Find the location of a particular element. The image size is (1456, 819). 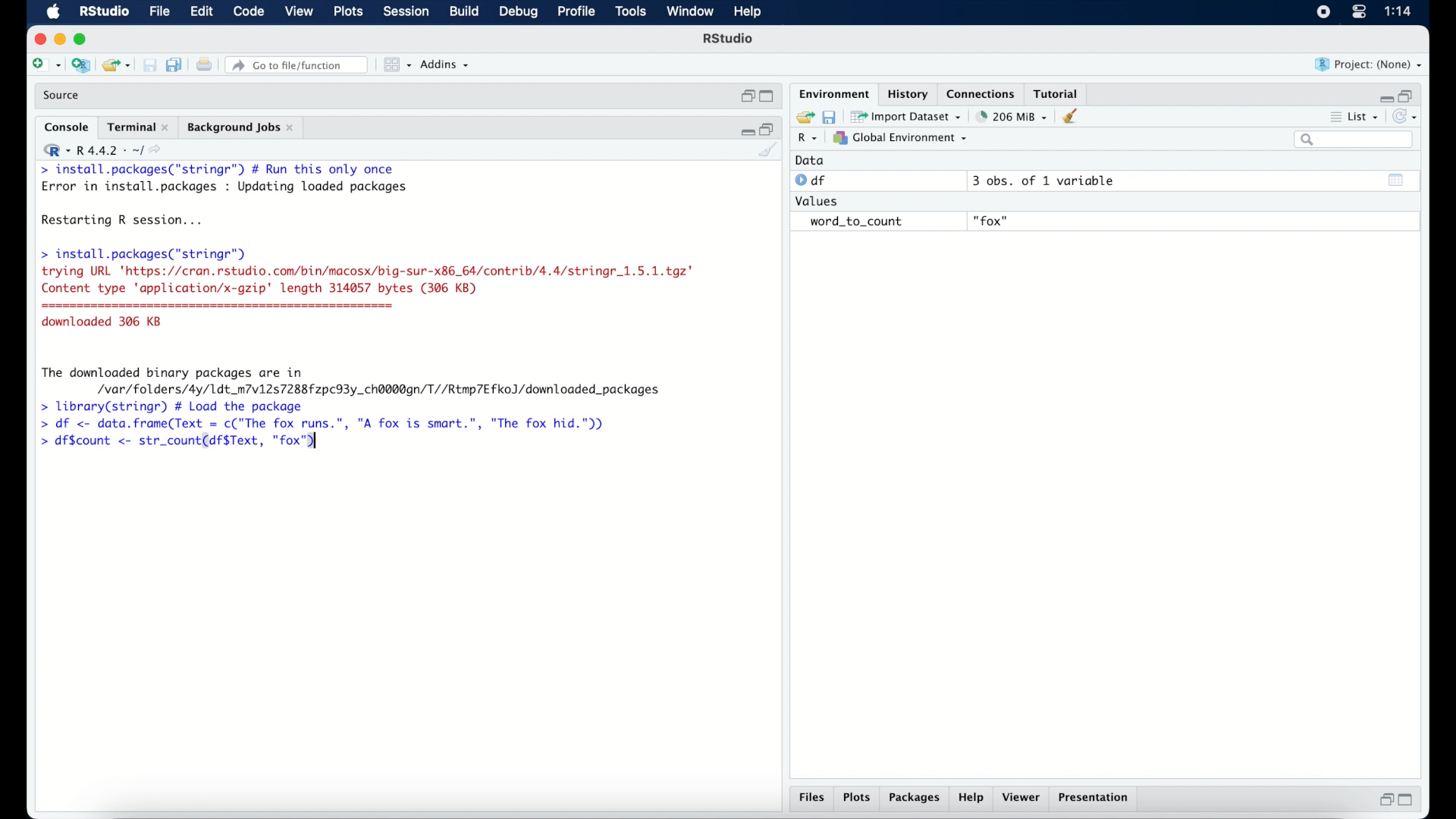

R is located at coordinates (808, 139).